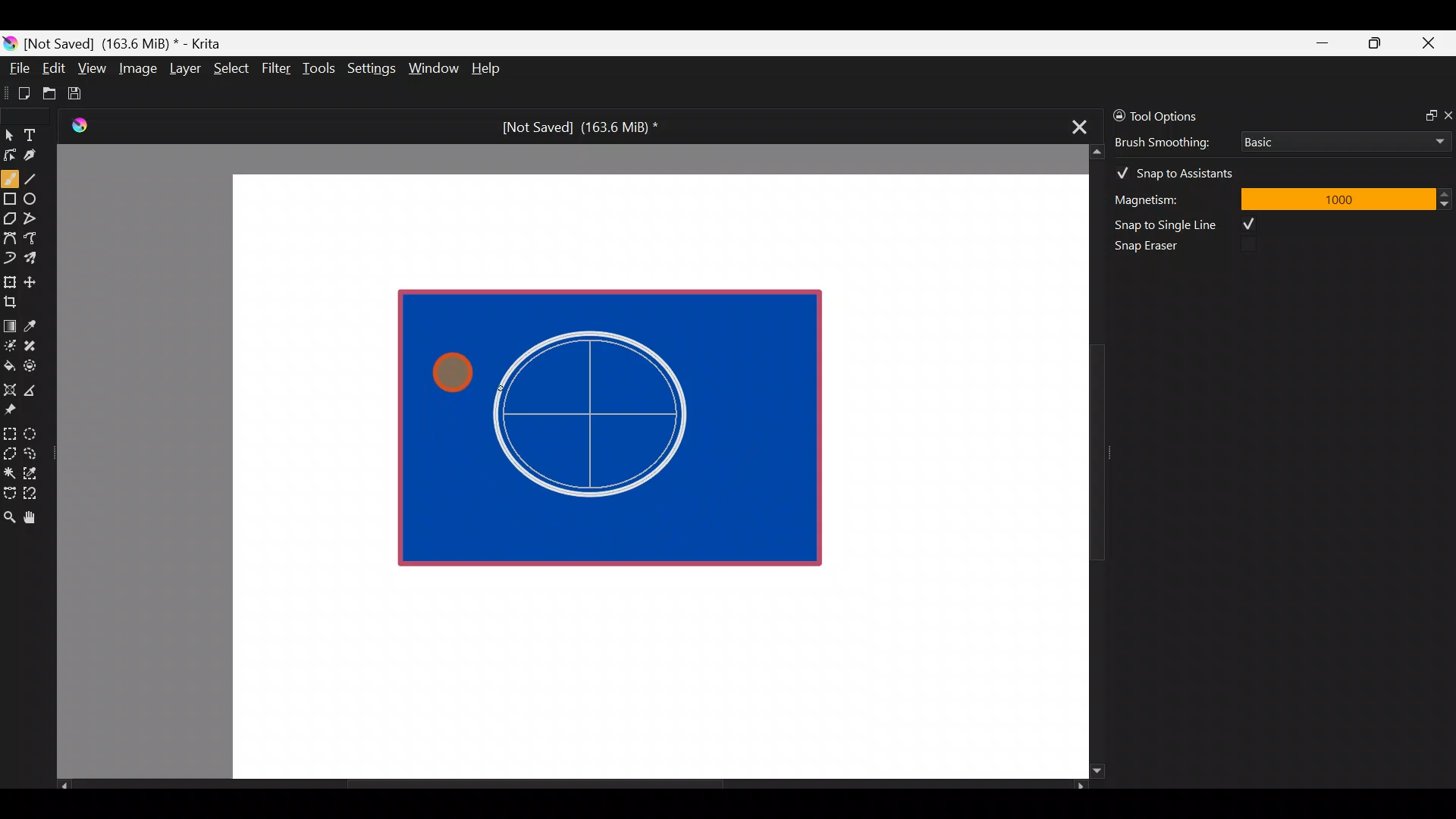  Describe the element at coordinates (35, 385) in the screenshot. I see `Measure the distance between two points` at that location.